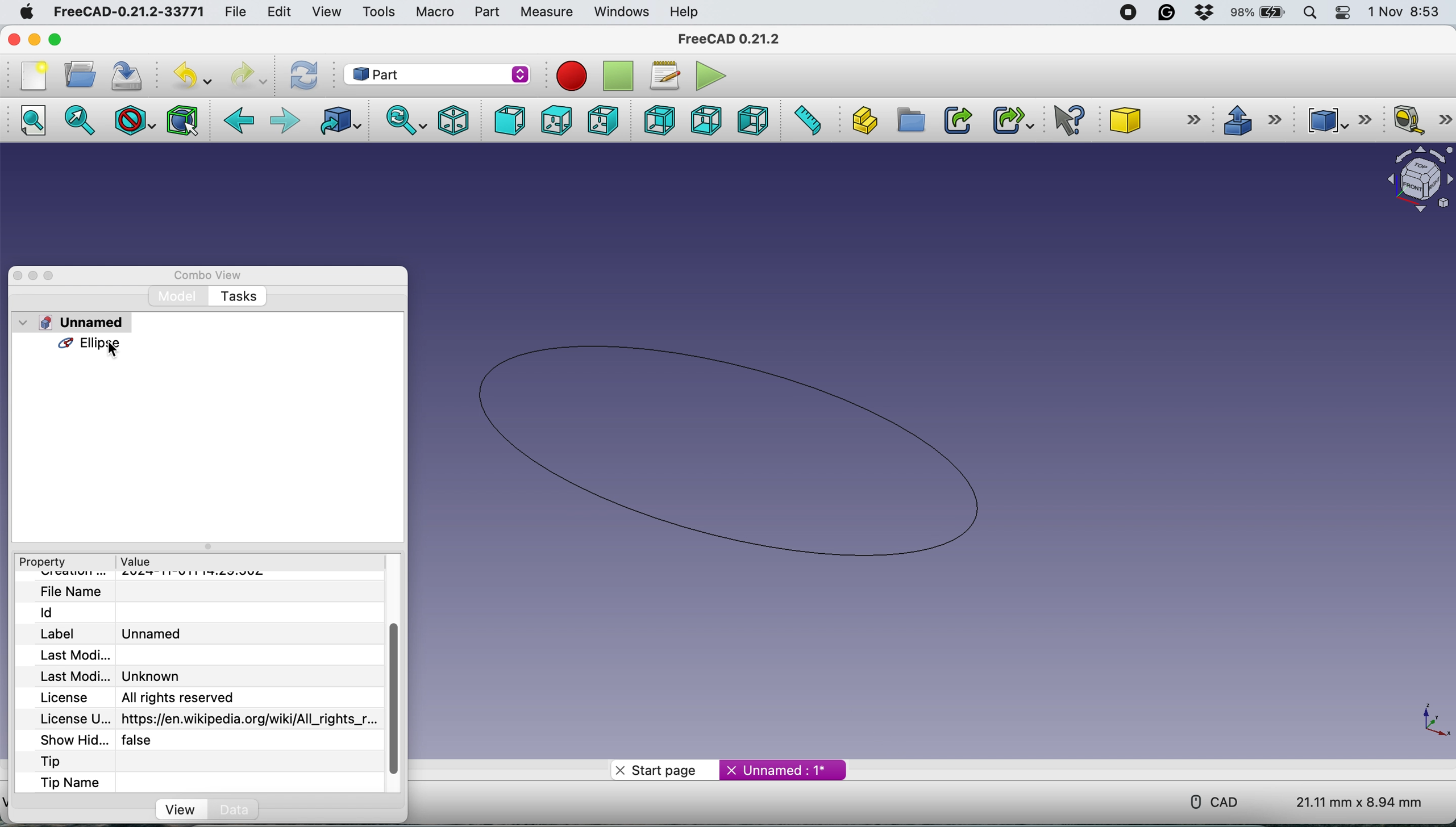  I want to click on refresh, so click(303, 76).